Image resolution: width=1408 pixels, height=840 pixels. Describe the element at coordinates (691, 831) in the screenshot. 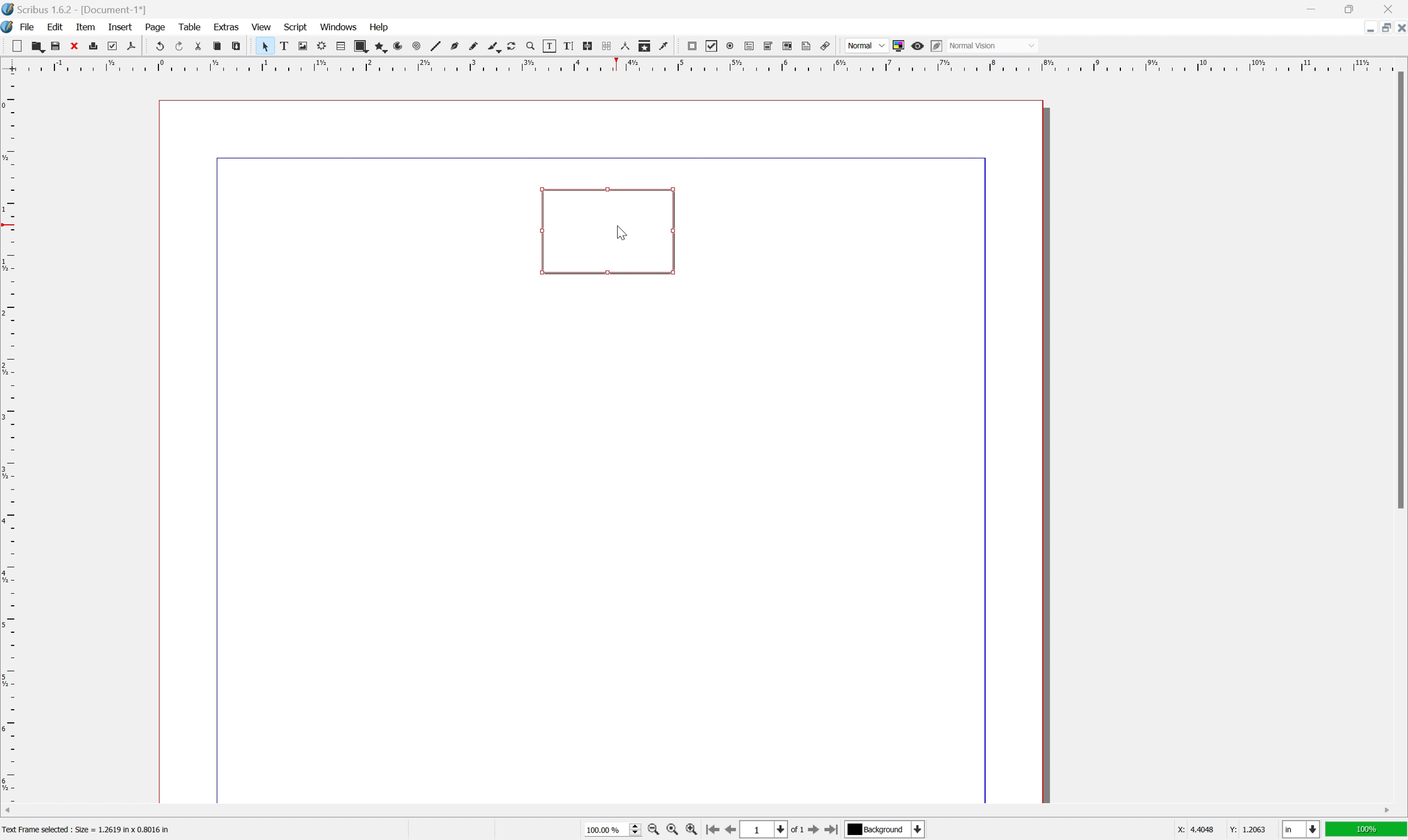

I see `zoom in` at that location.